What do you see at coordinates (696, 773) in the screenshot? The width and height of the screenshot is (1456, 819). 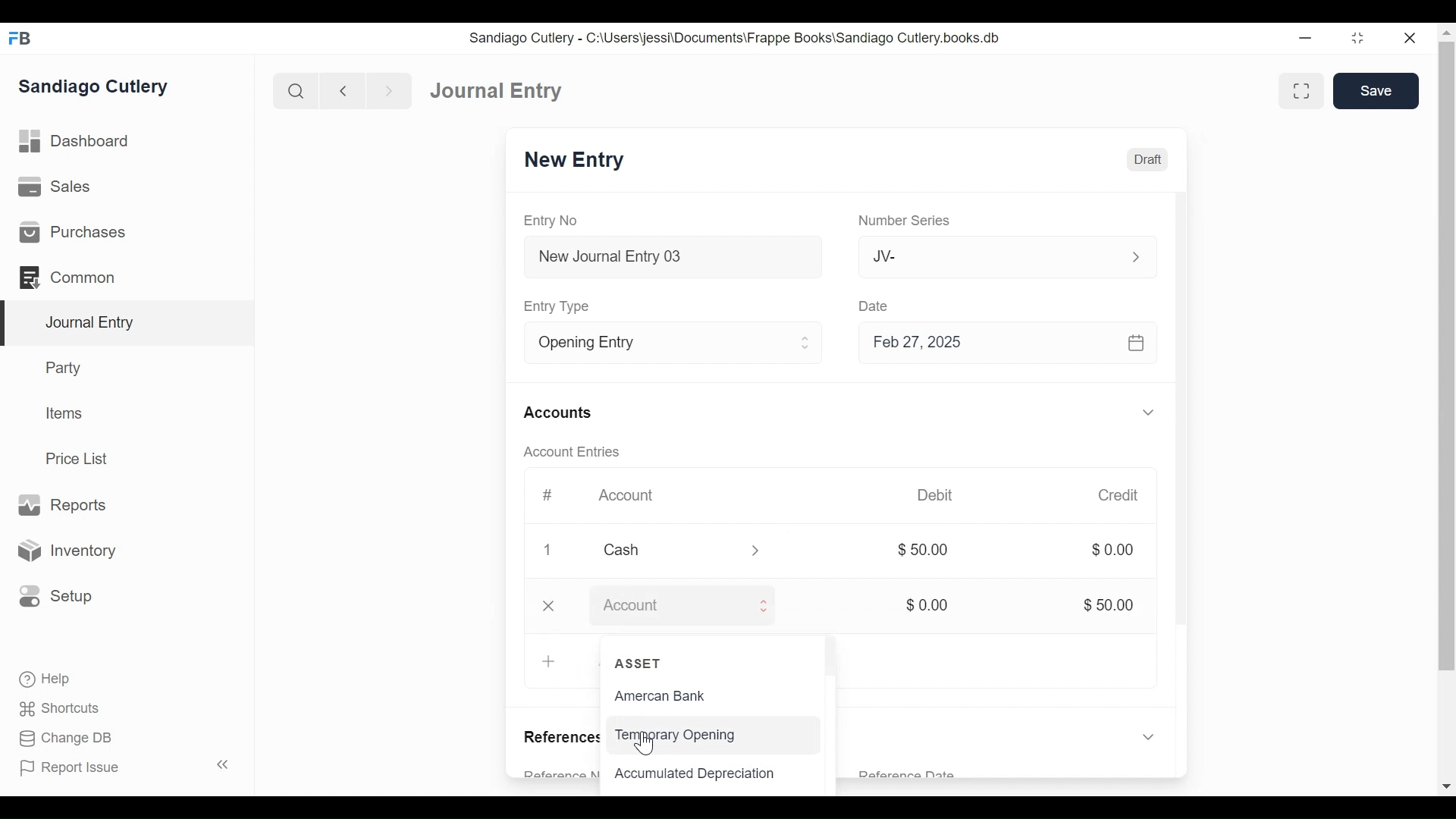 I see `Accumulated Depreciation` at bounding box center [696, 773].